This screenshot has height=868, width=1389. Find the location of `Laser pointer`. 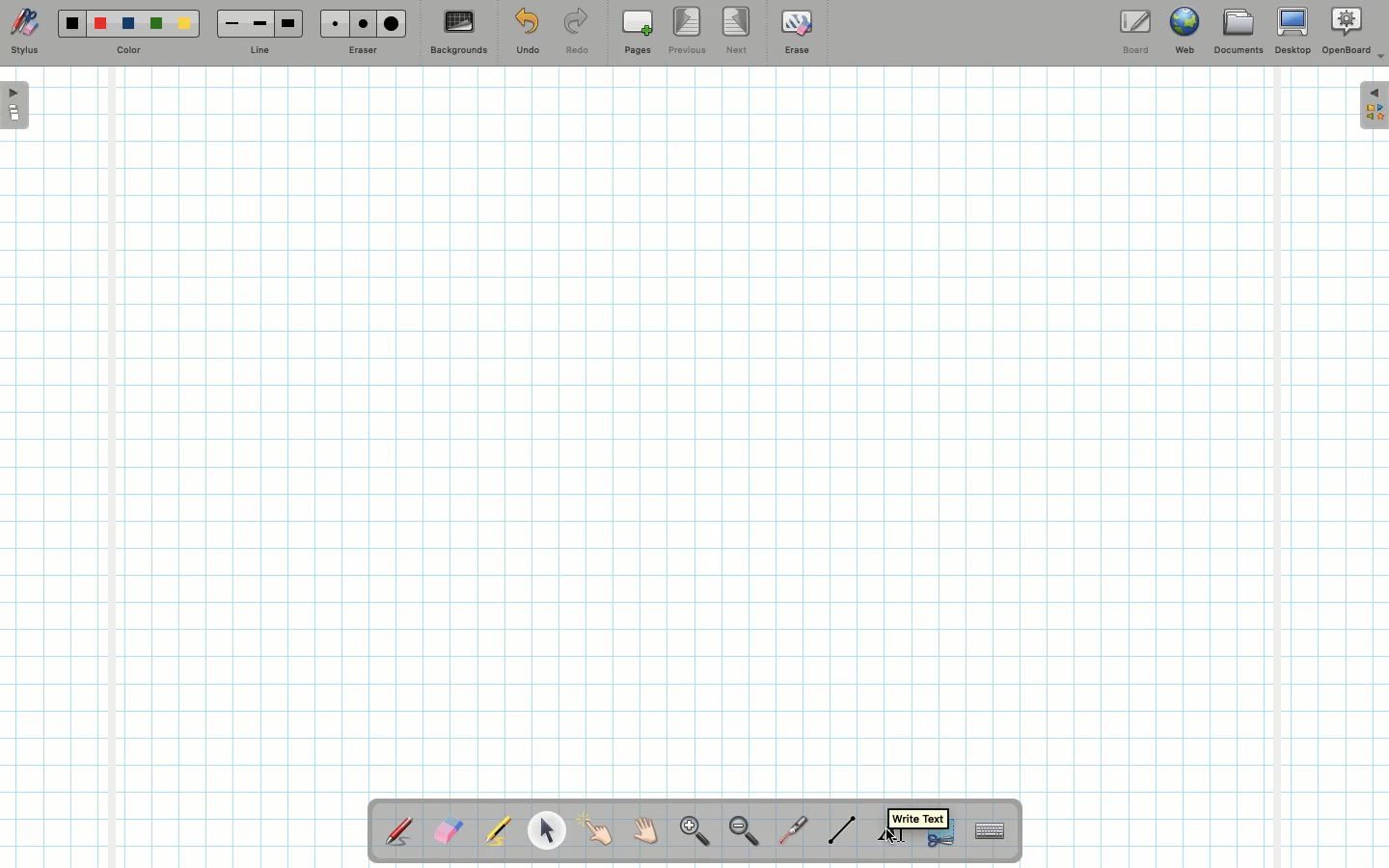

Laser pointer is located at coordinates (789, 831).